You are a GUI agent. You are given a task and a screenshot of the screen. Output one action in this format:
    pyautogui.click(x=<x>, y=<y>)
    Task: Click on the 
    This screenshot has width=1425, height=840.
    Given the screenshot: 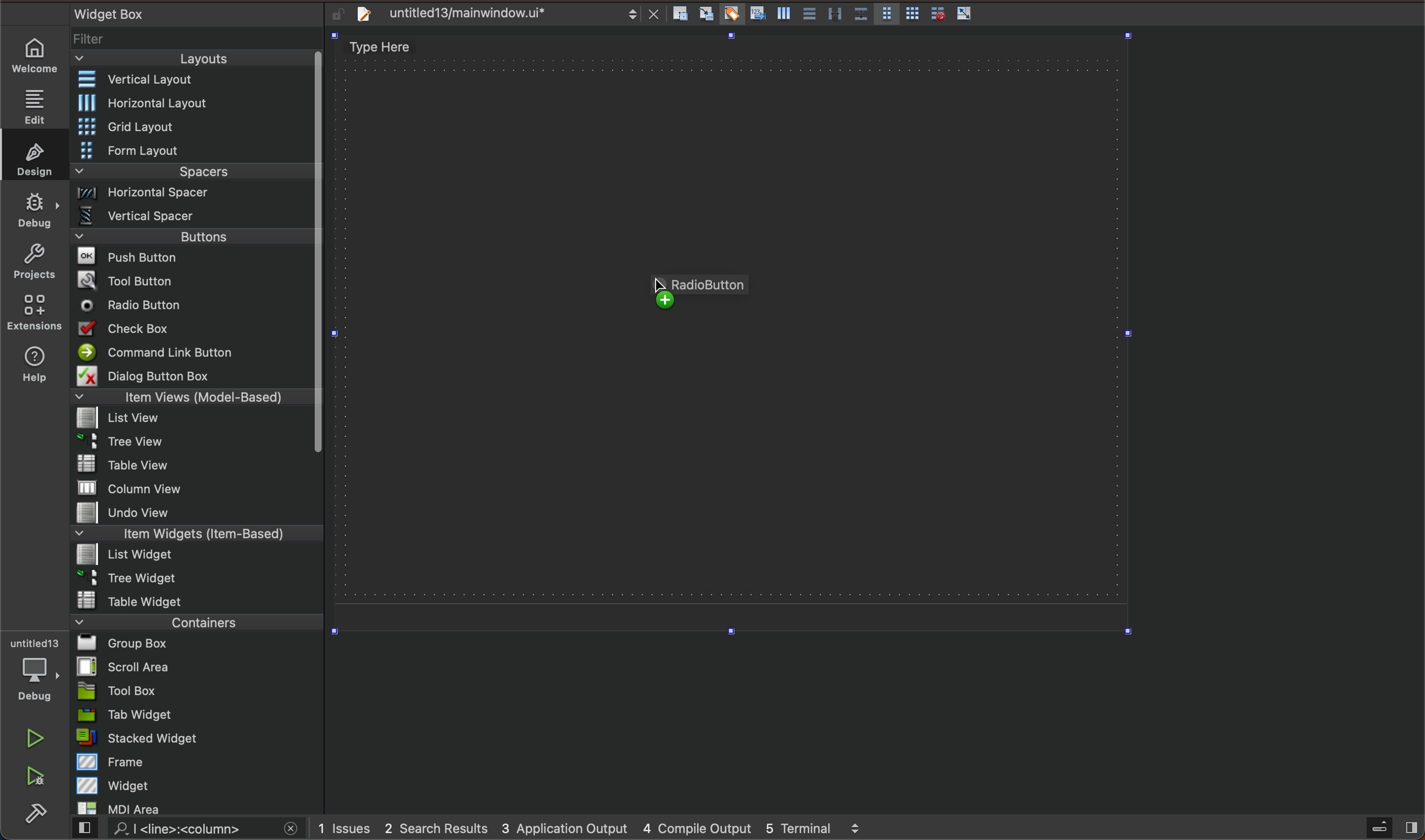 What is the action you would take?
    pyautogui.click(x=965, y=14)
    